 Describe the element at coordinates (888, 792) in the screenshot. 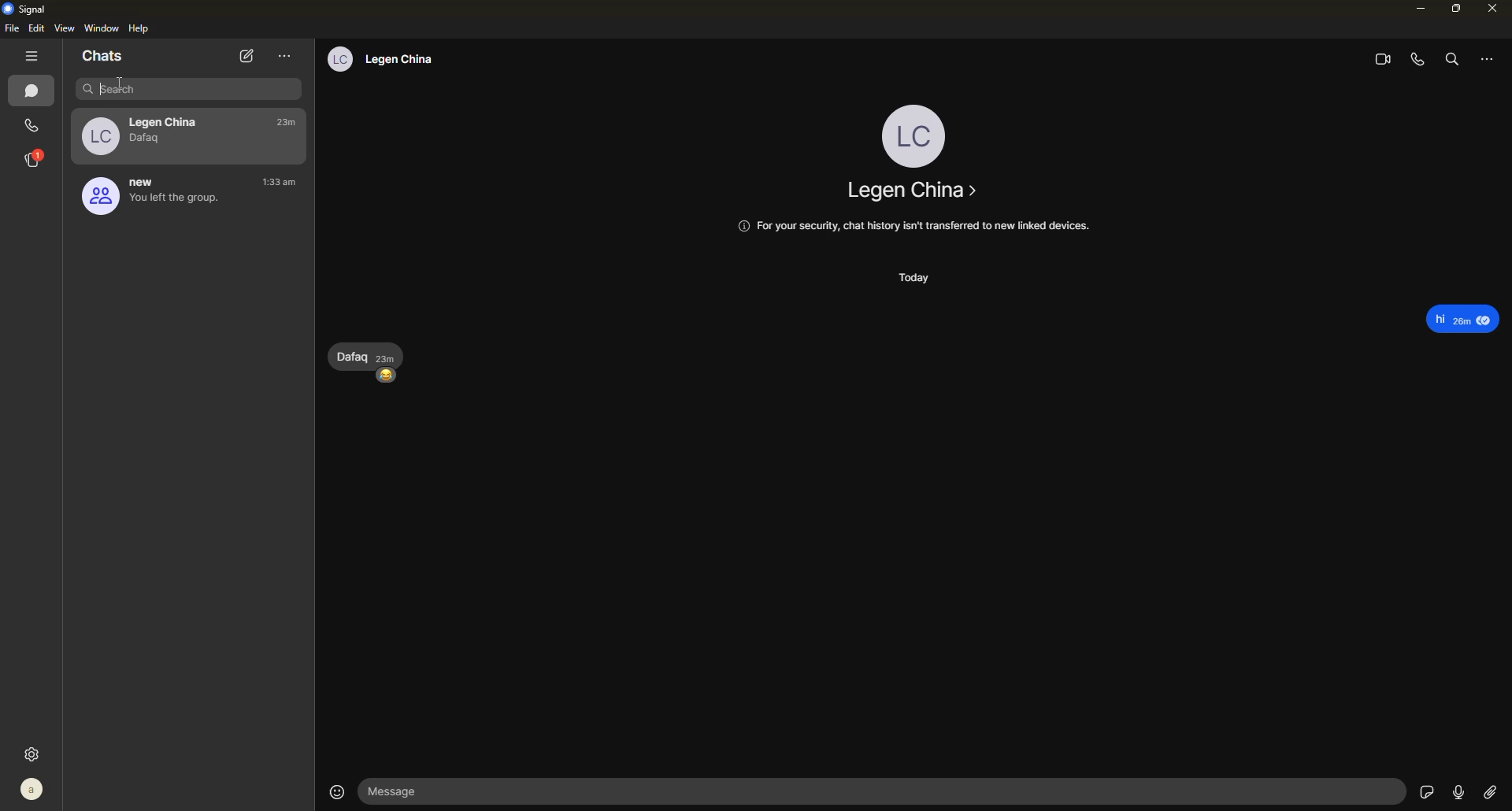

I see `message` at that location.